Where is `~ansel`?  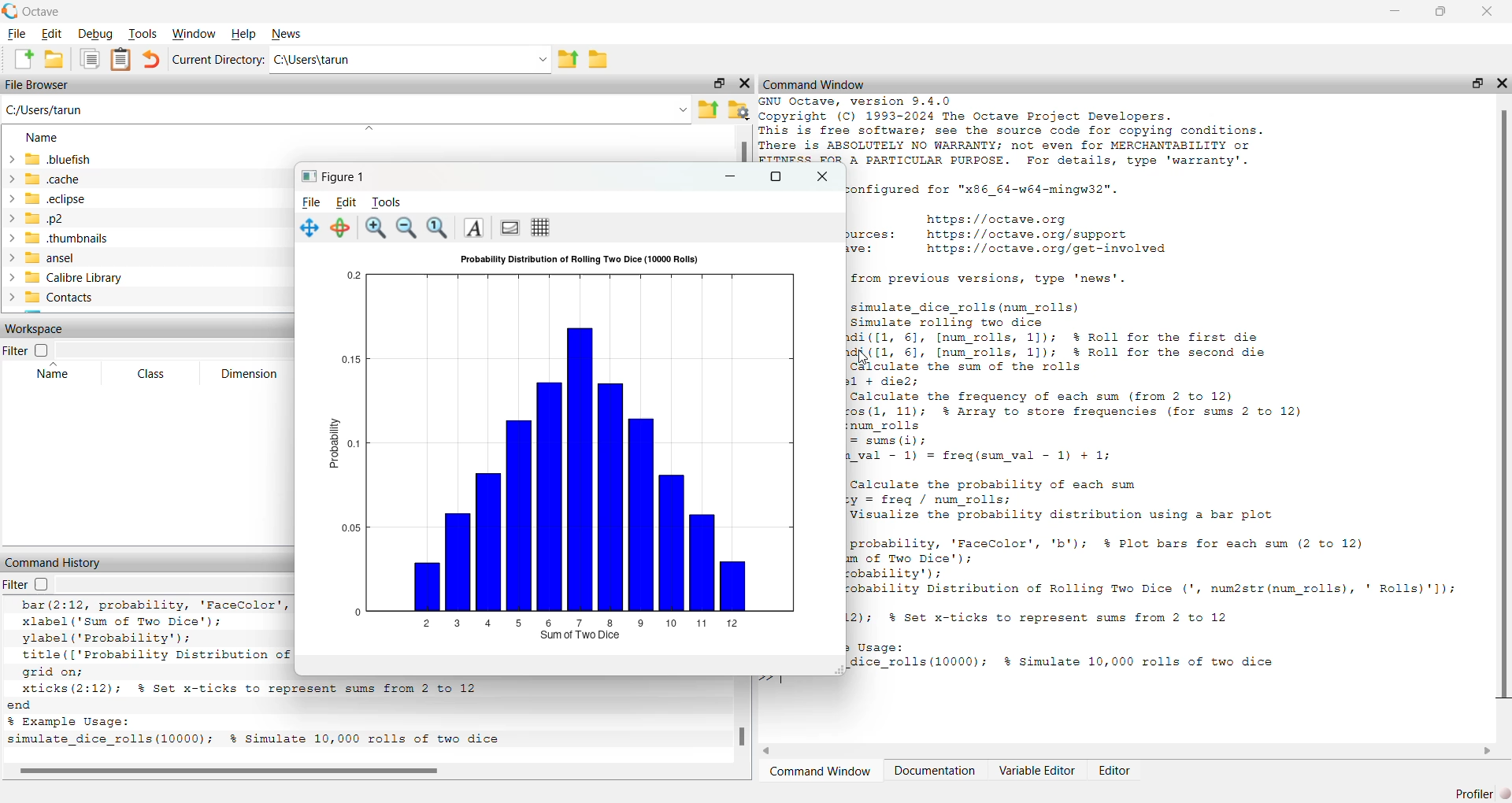 ~ansel is located at coordinates (47, 257).